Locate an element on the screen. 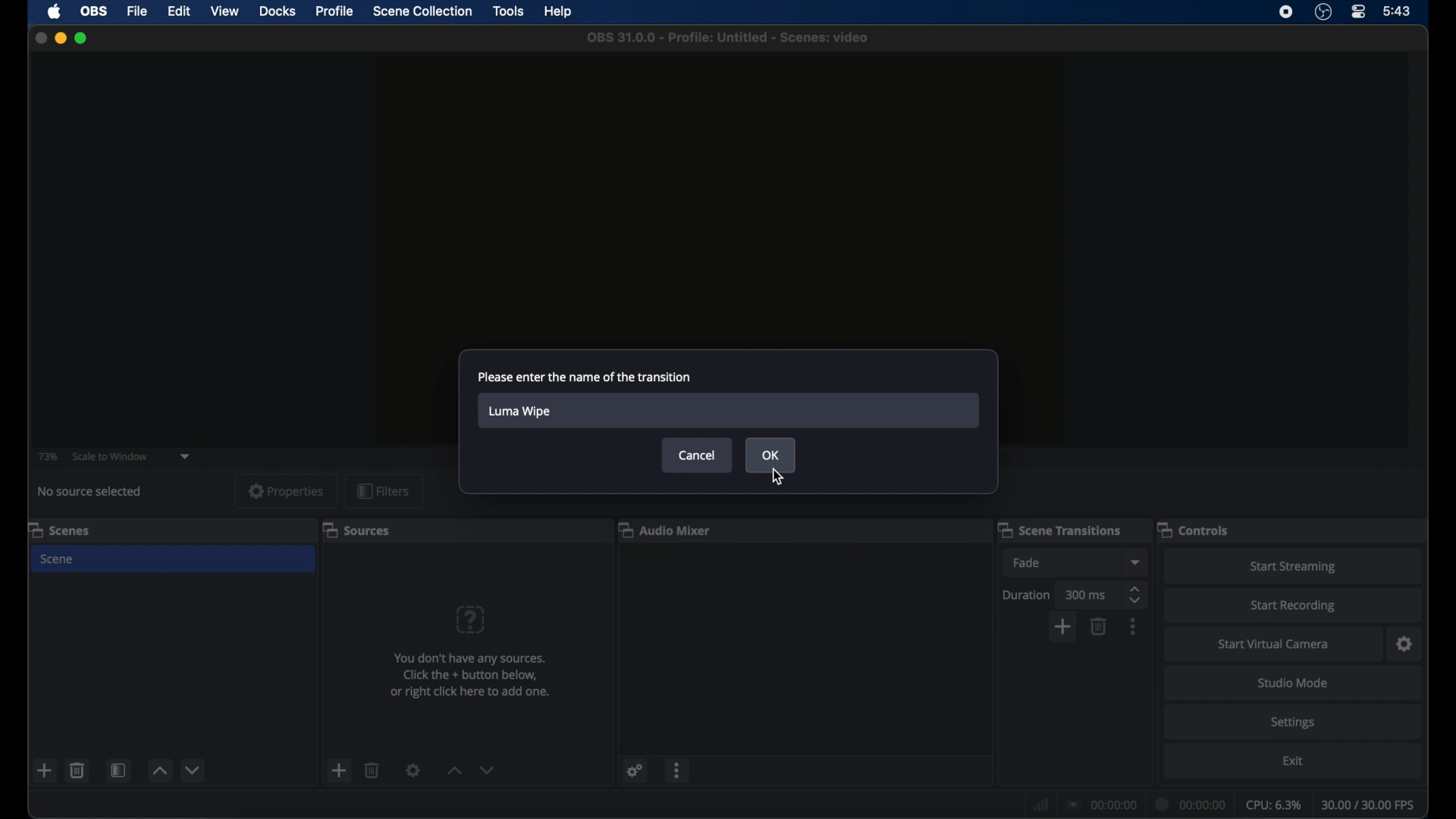  exit is located at coordinates (1295, 761).